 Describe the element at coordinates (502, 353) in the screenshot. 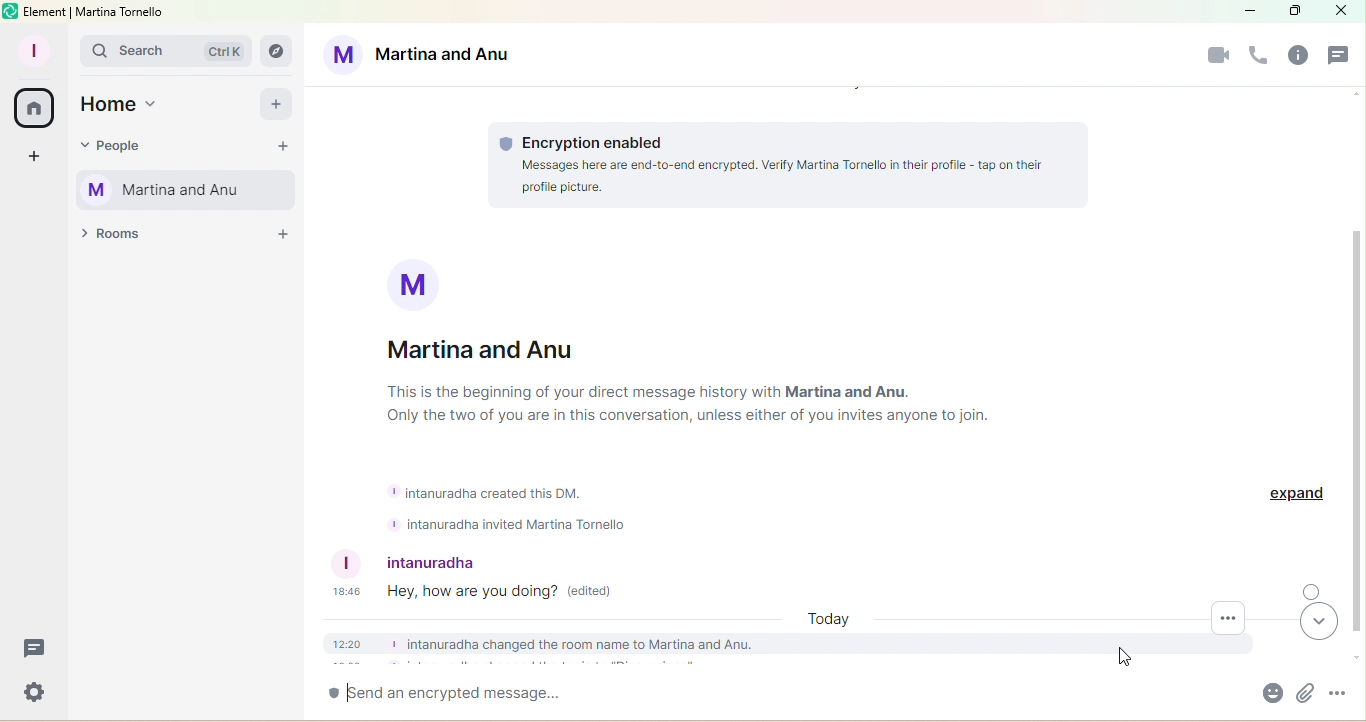

I see `Martina and Anu` at that location.